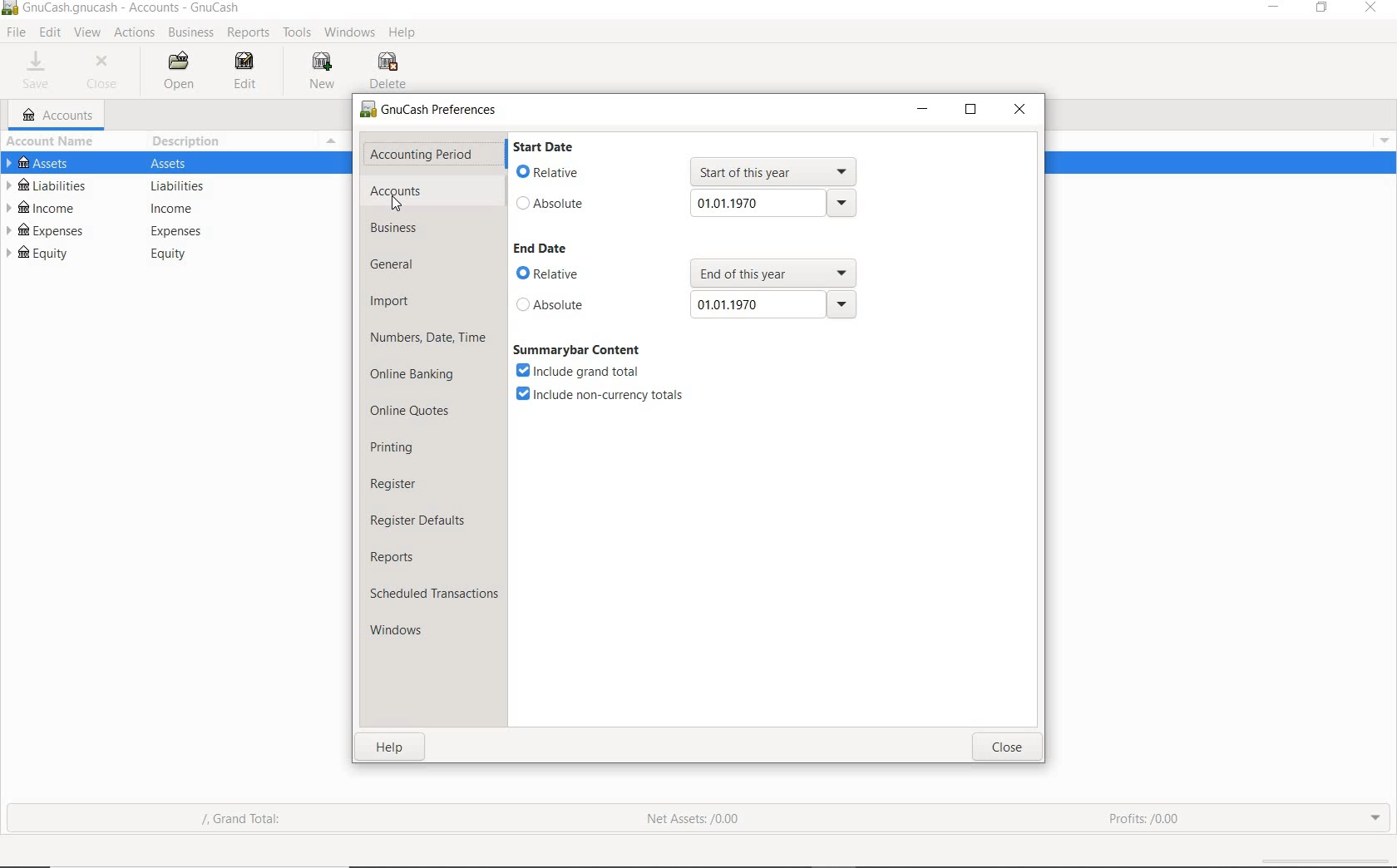  I want to click on summarybar content, so click(580, 349).